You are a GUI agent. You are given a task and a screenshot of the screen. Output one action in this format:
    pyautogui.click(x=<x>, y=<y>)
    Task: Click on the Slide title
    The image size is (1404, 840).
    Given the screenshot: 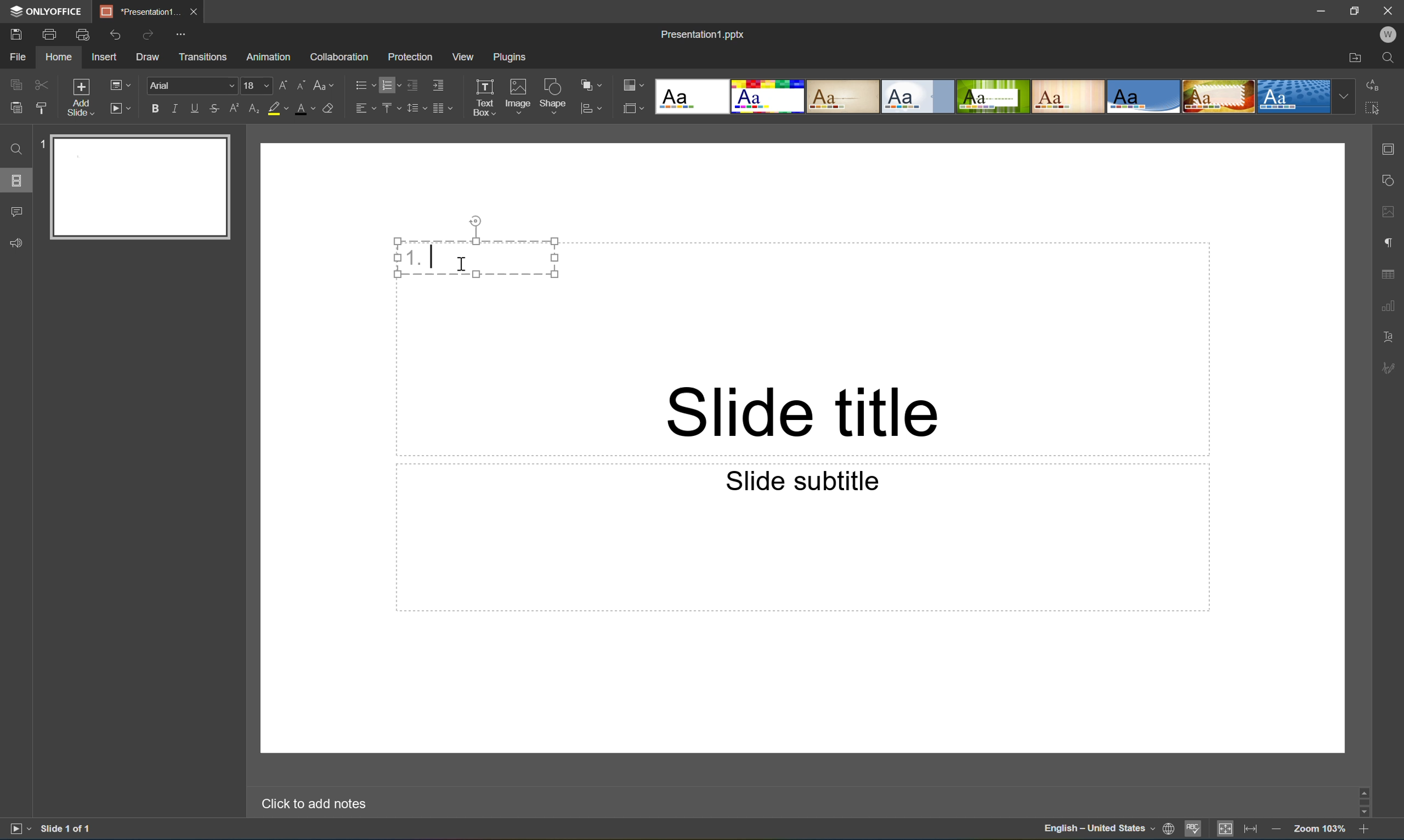 What is the action you would take?
    pyautogui.click(x=802, y=412)
    